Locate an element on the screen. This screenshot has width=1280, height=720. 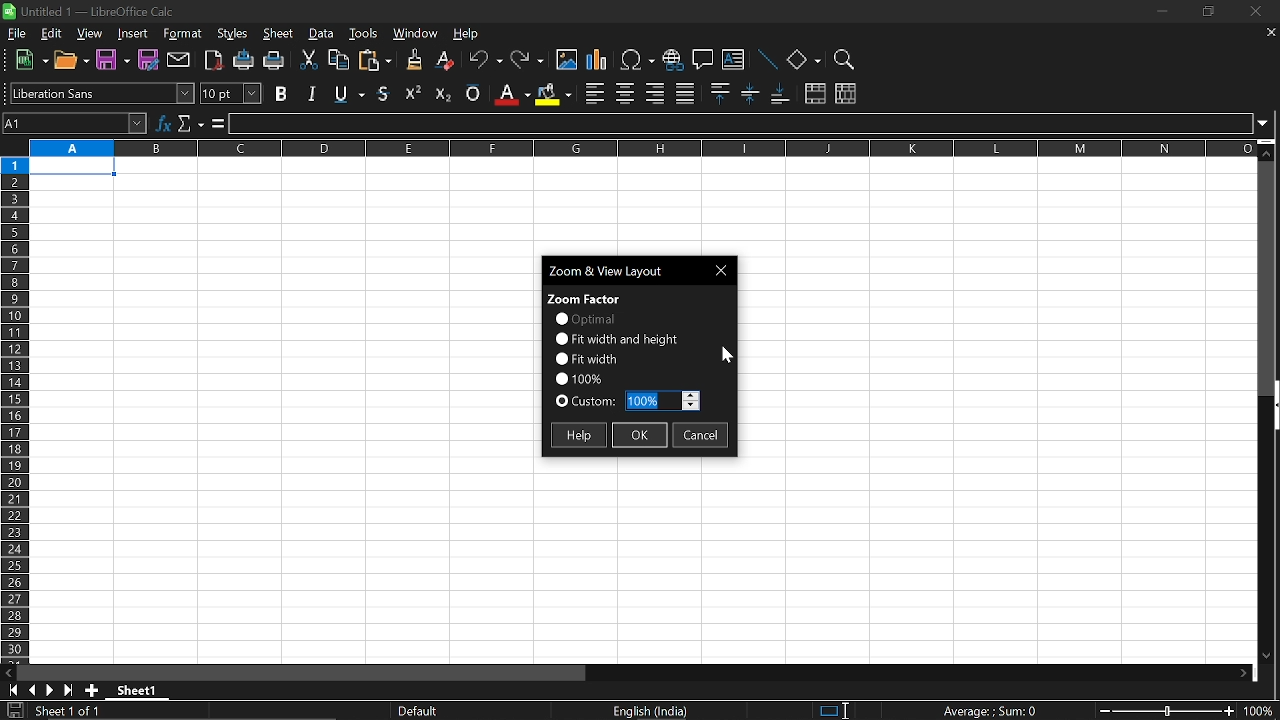
insert hyperlink is located at coordinates (672, 62).